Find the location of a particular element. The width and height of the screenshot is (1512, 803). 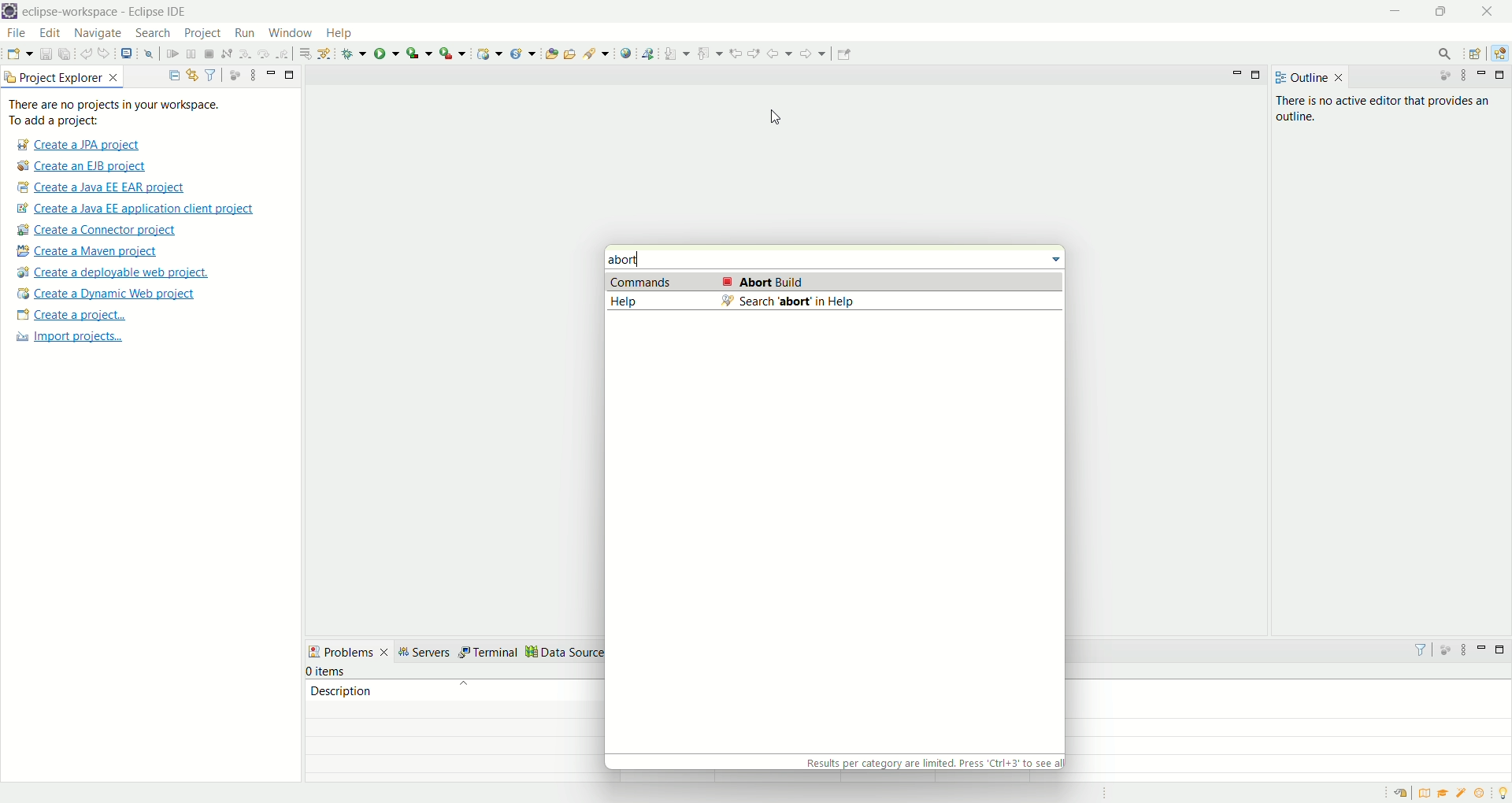

close is located at coordinates (1484, 12).